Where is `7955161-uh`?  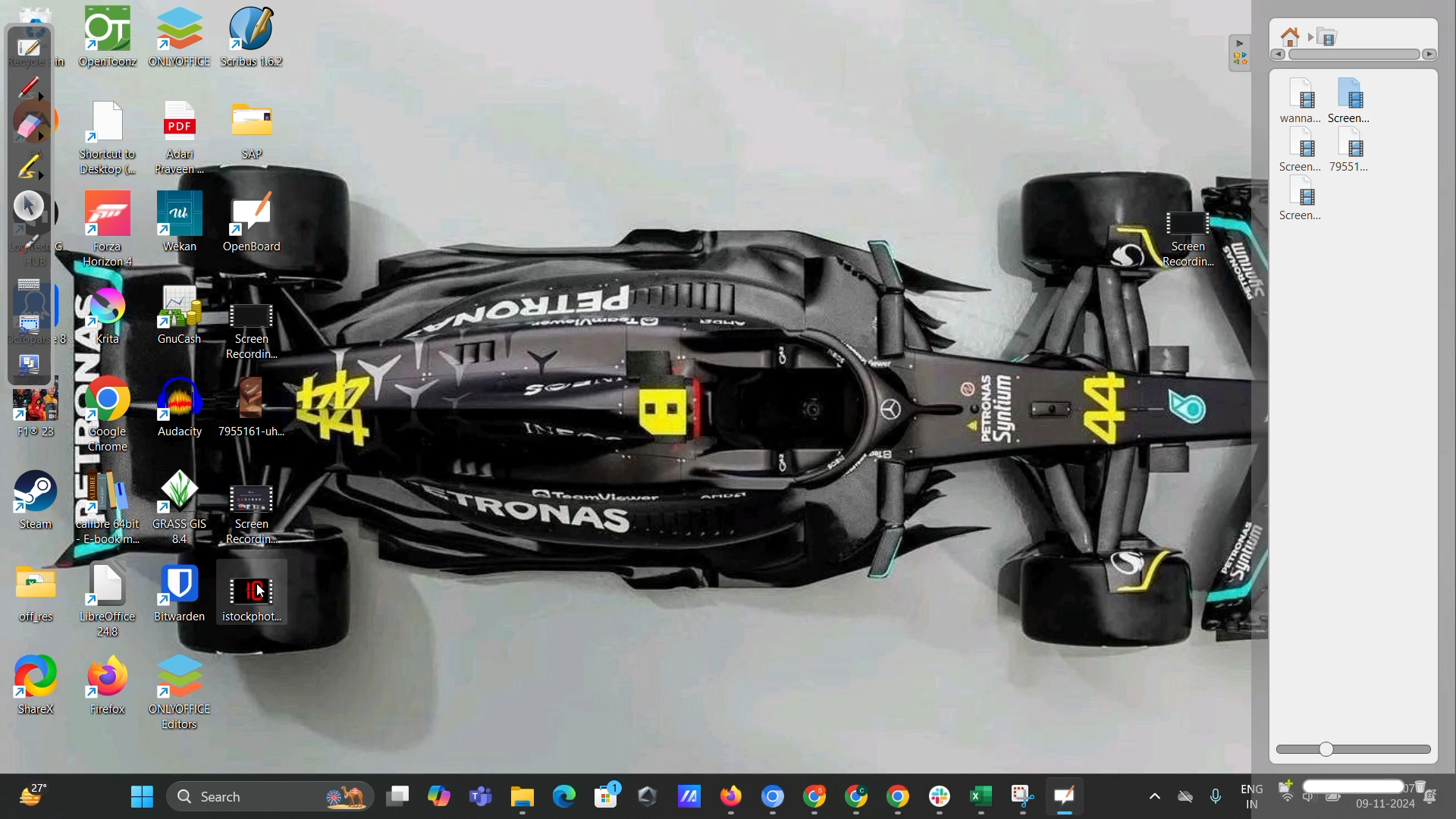 7955161-uh is located at coordinates (254, 406).